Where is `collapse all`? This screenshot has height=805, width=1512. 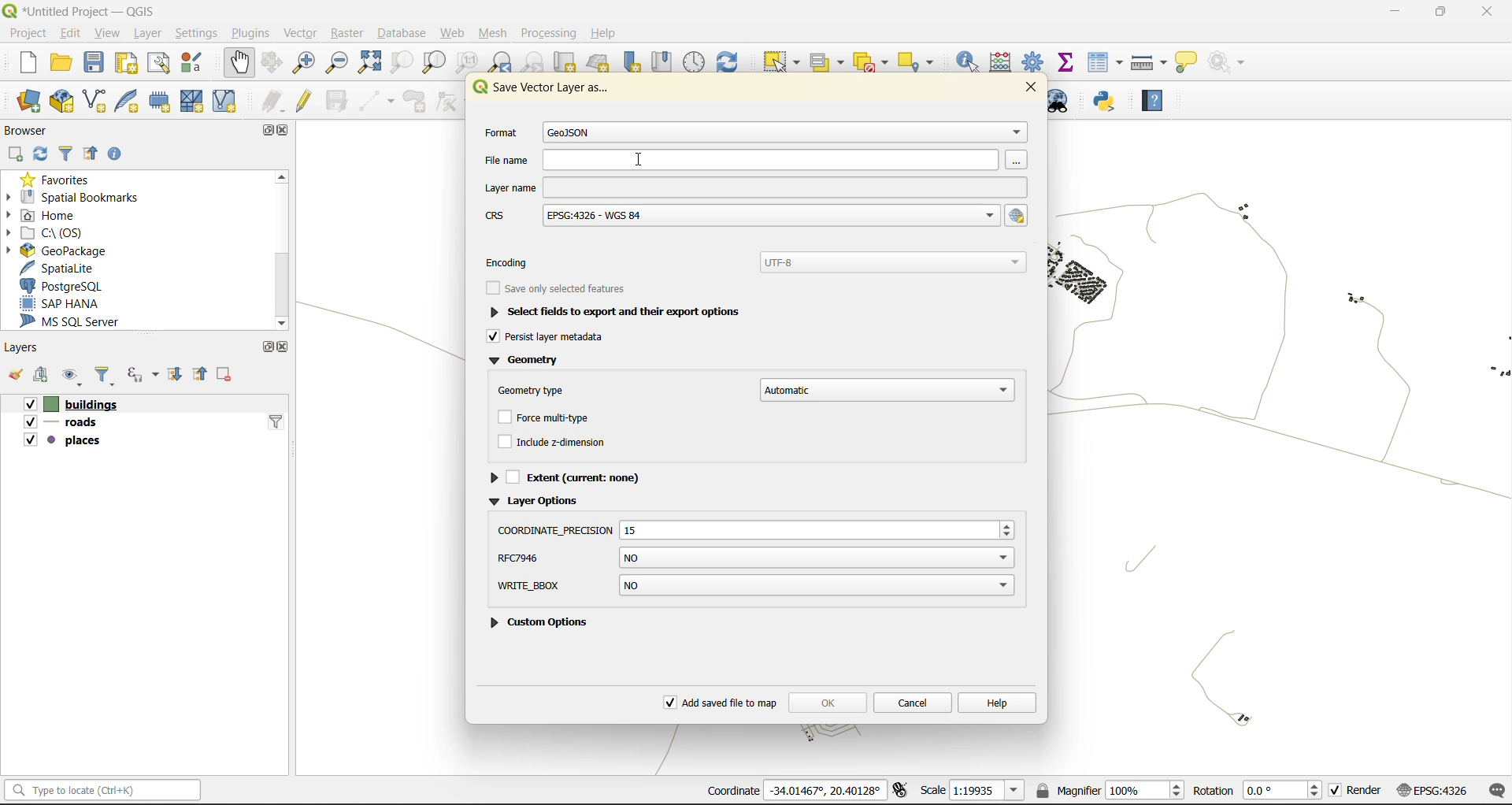 collapse all is located at coordinates (203, 374).